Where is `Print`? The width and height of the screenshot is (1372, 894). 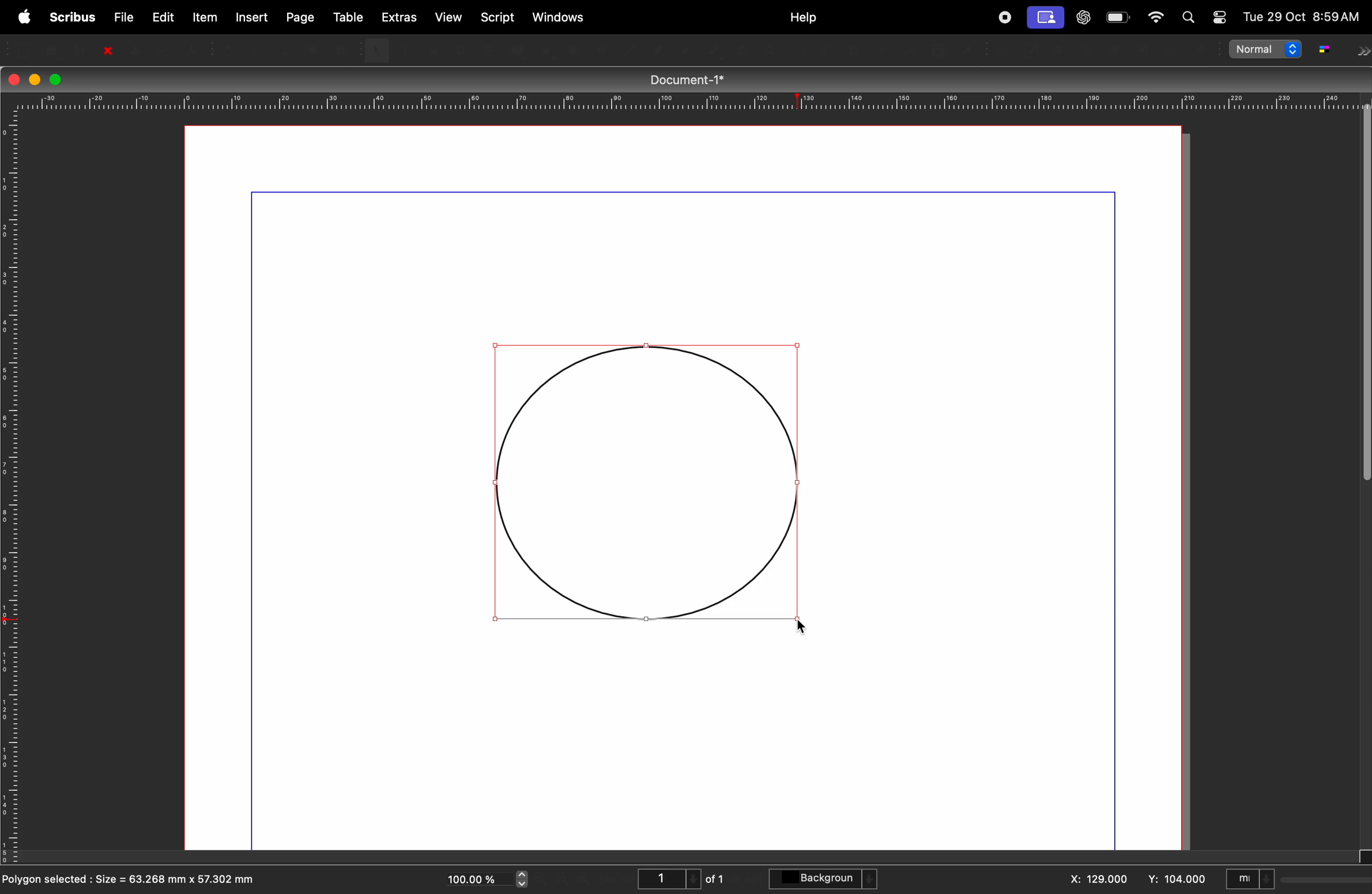
Print is located at coordinates (134, 50).